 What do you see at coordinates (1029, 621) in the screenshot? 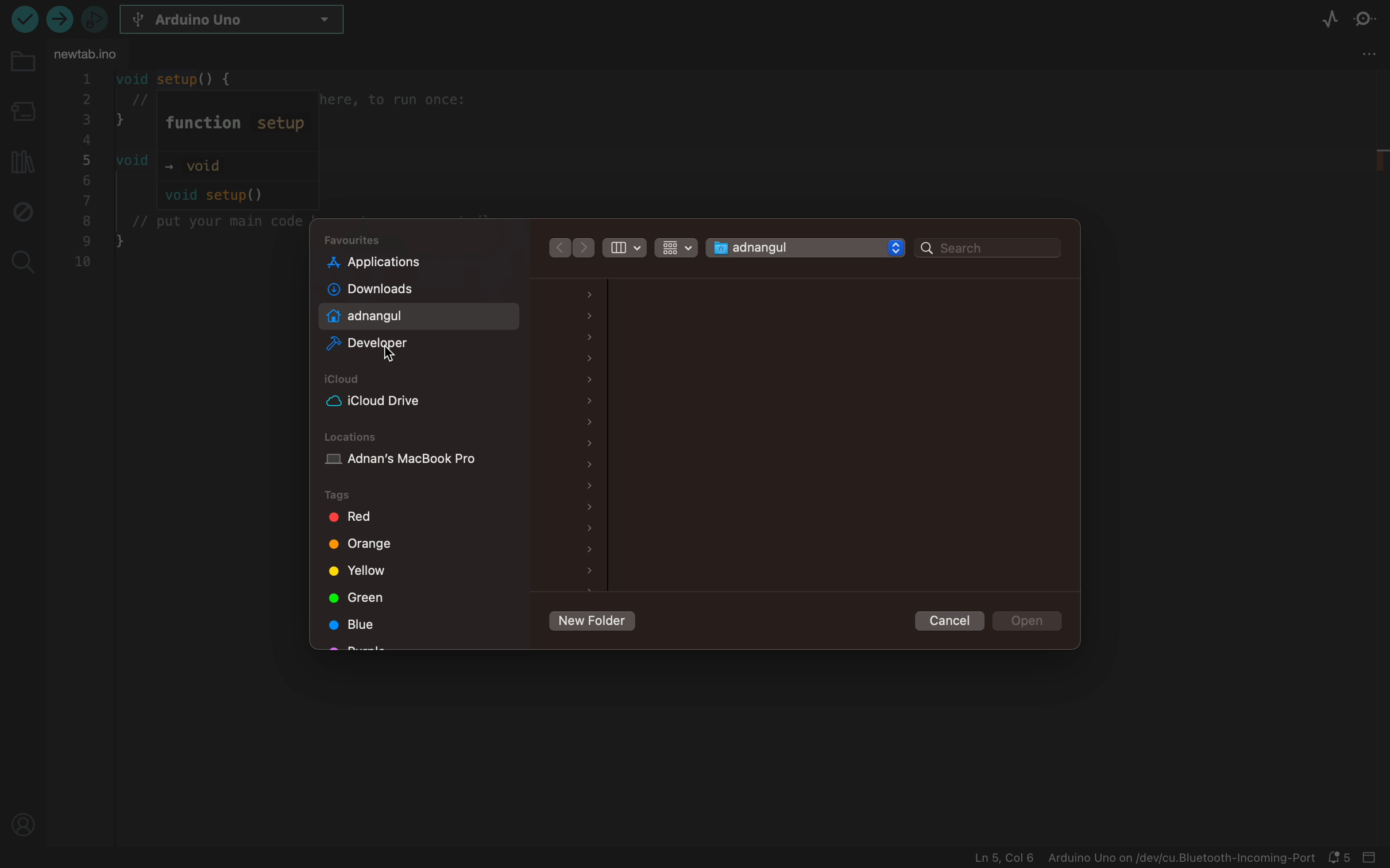
I see `open` at bounding box center [1029, 621].